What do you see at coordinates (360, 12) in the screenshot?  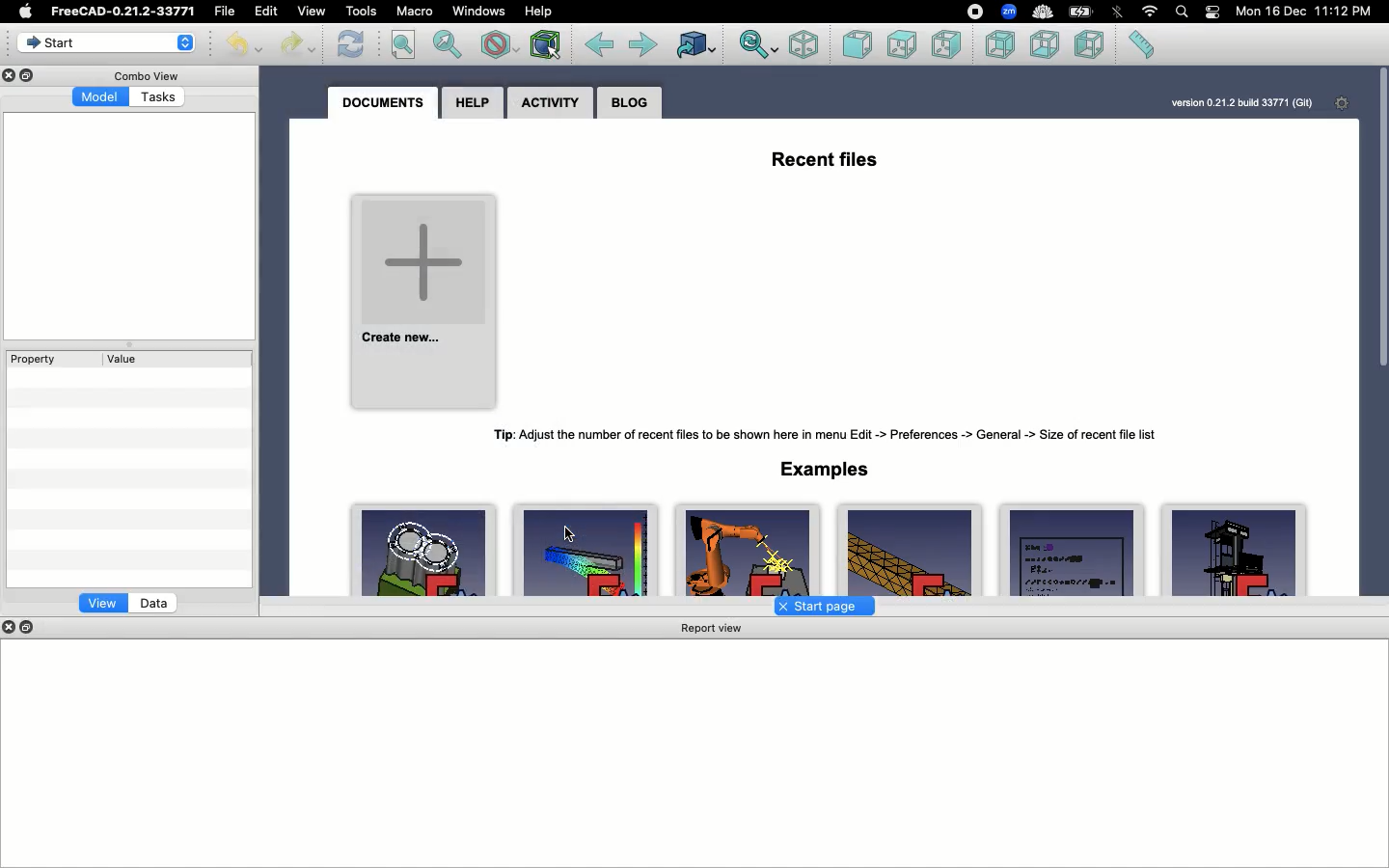 I see `Tools` at bounding box center [360, 12].